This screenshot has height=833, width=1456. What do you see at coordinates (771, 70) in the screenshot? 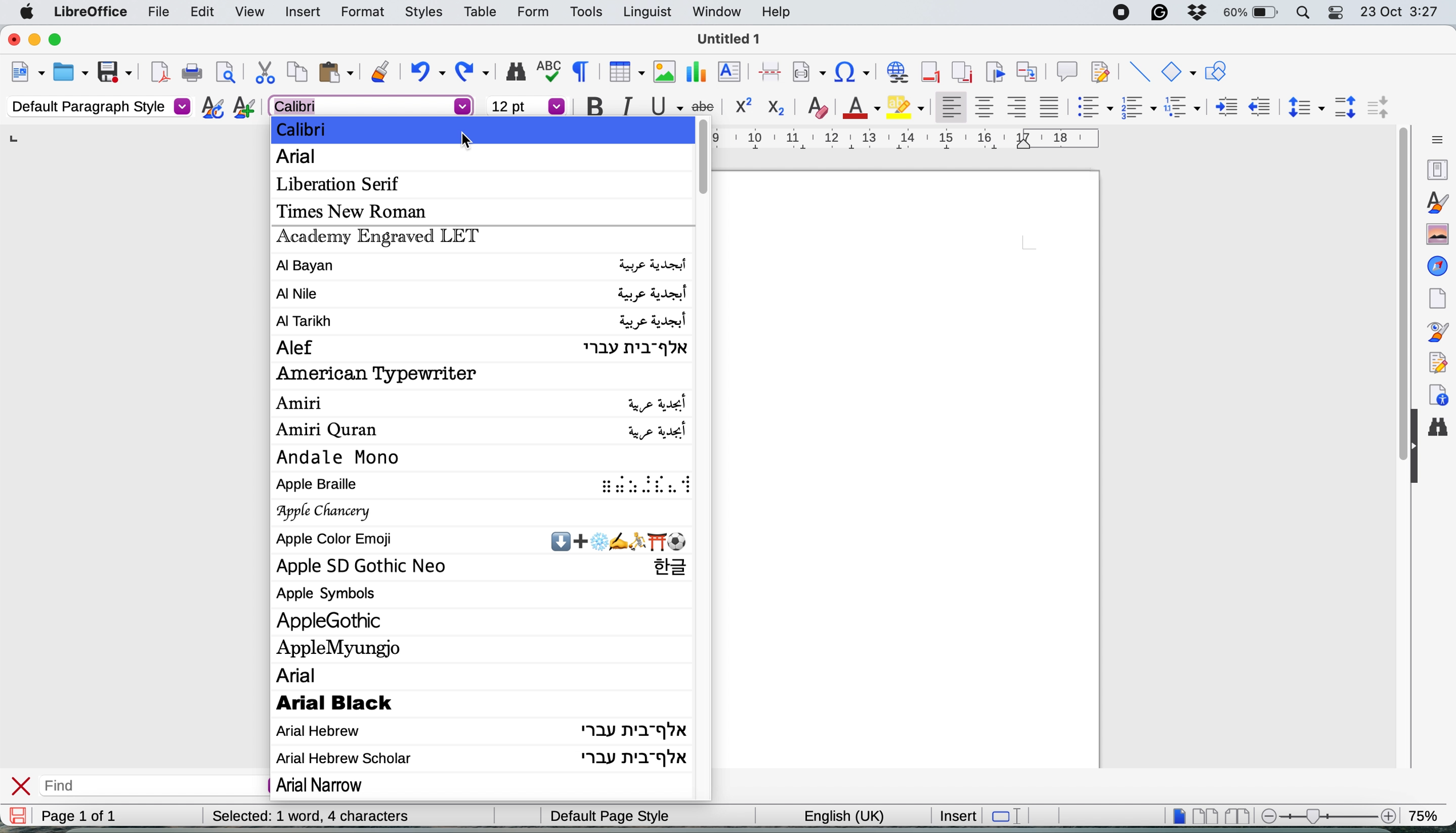
I see `page break` at bounding box center [771, 70].